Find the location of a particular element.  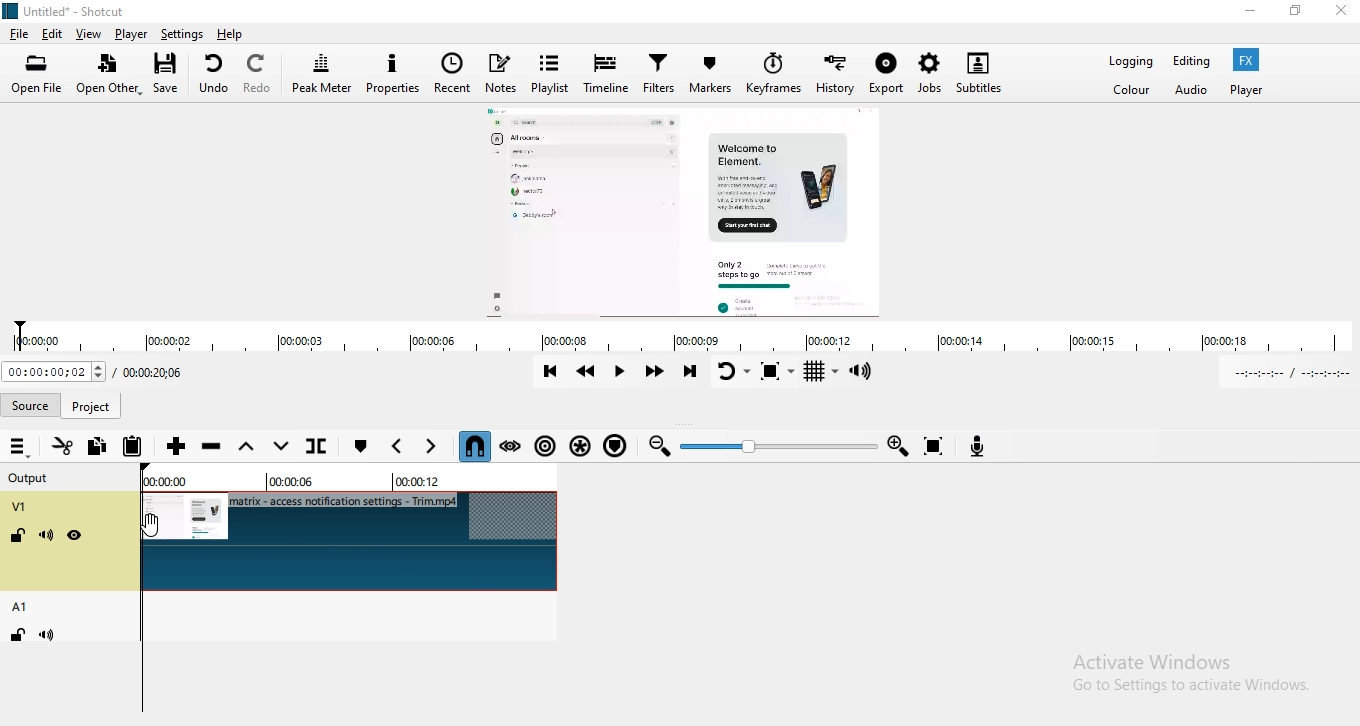

 is located at coordinates (778, 371).